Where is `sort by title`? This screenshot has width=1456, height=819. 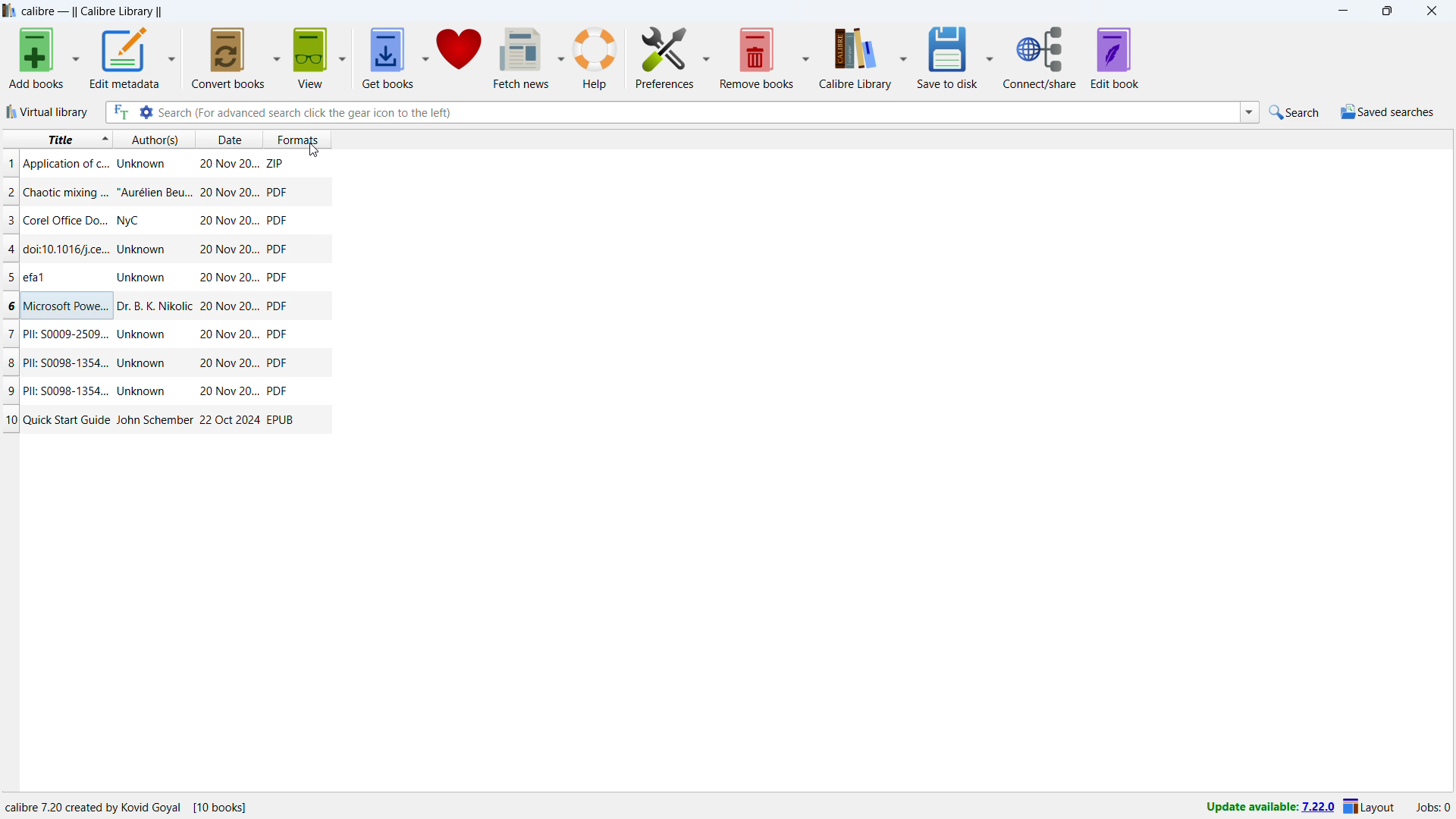 sort by title is located at coordinates (58, 140).